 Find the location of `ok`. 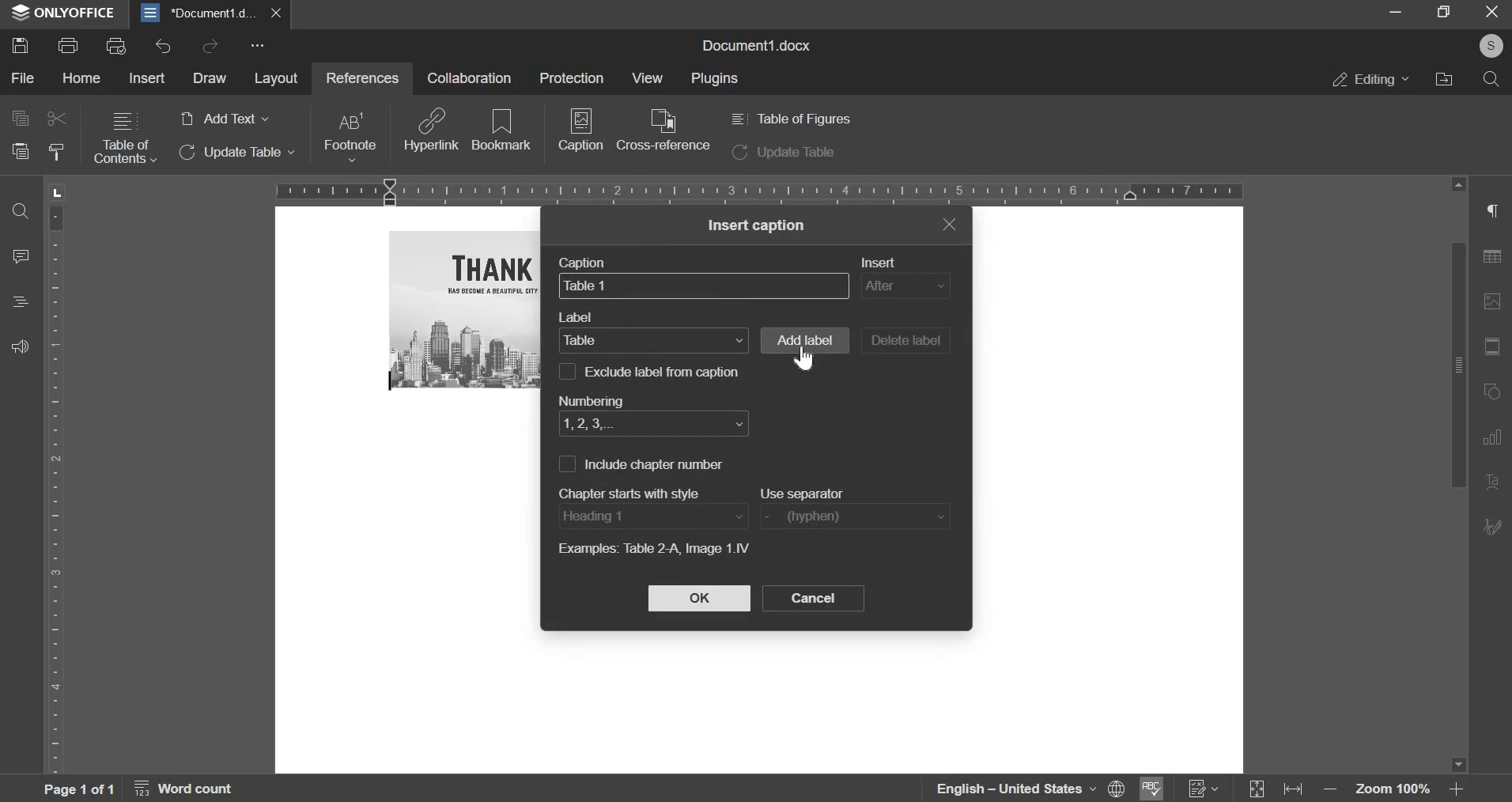

ok is located at coordinates (699, 598).